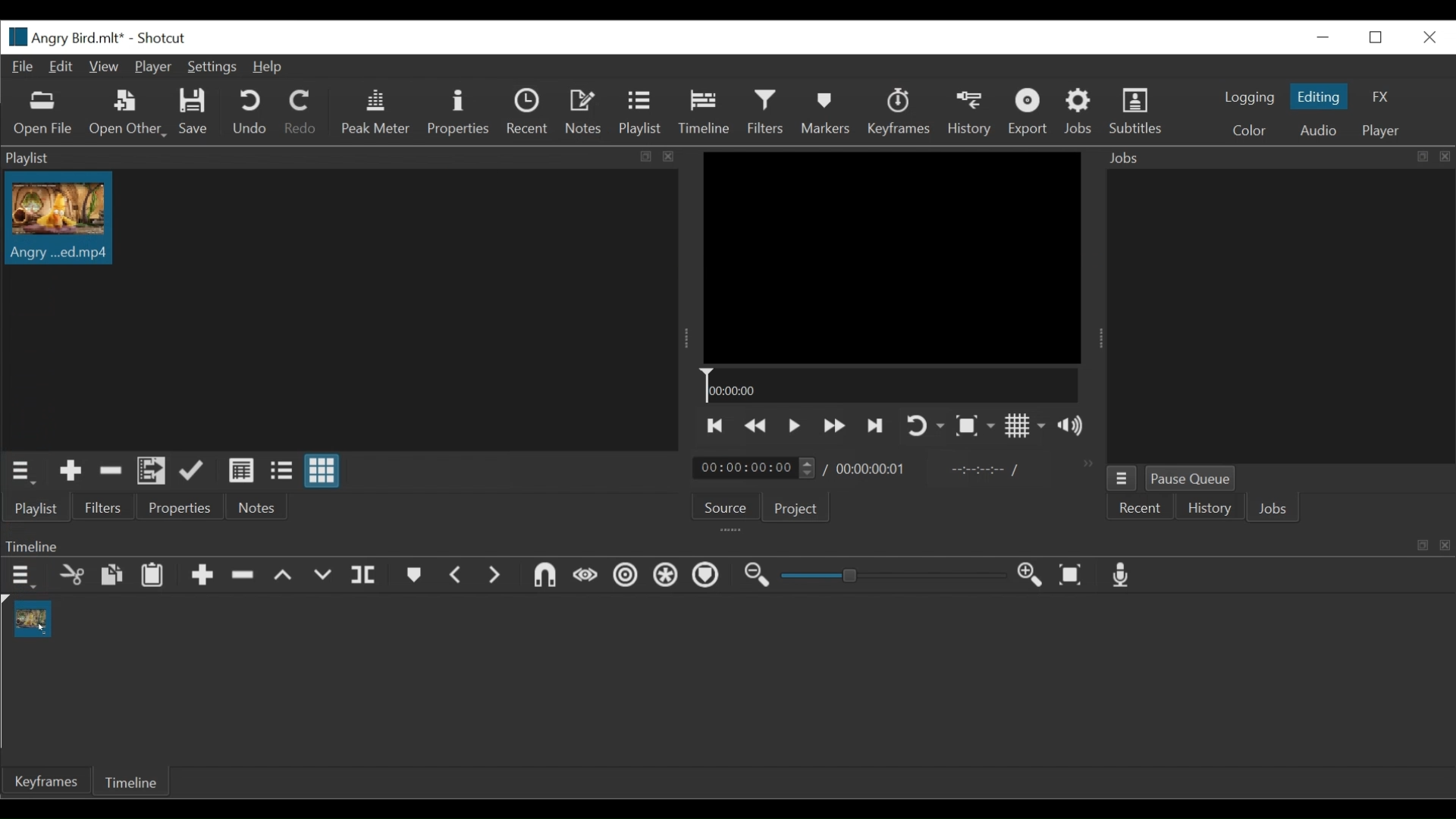  I want to click on Scrub while dragging, so click(708, 576).